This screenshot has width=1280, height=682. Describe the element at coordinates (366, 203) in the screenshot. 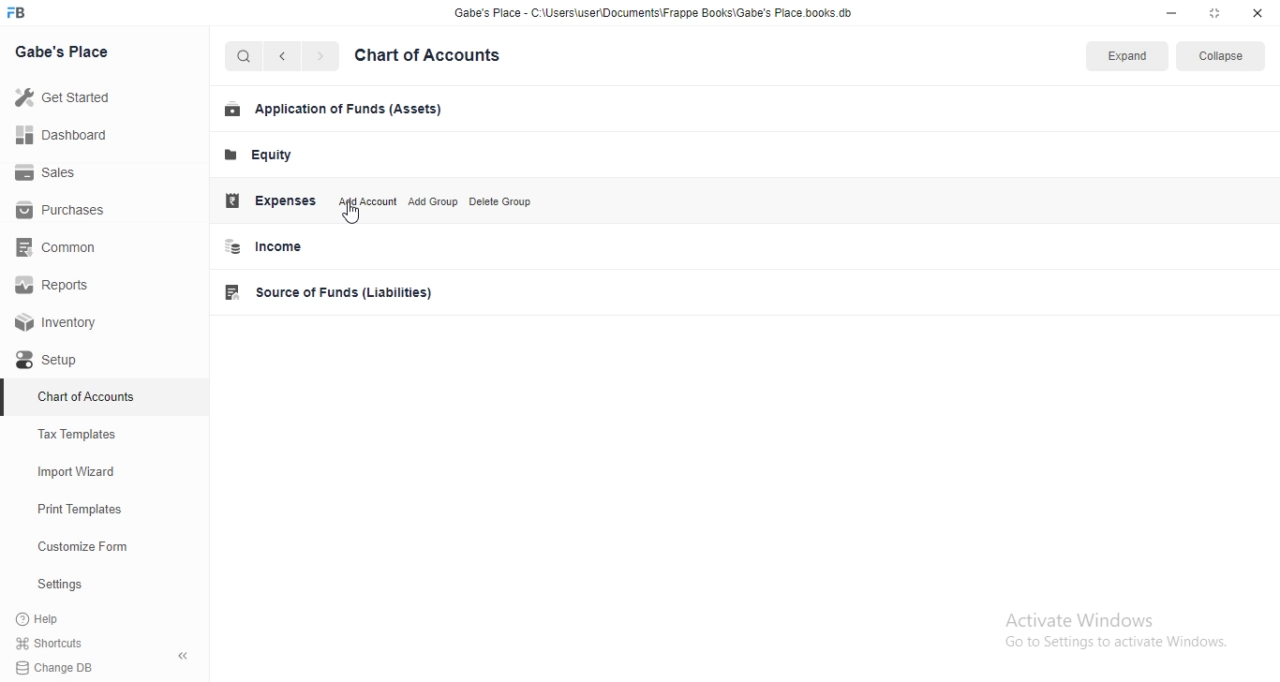

I see `Add Account` at that location.